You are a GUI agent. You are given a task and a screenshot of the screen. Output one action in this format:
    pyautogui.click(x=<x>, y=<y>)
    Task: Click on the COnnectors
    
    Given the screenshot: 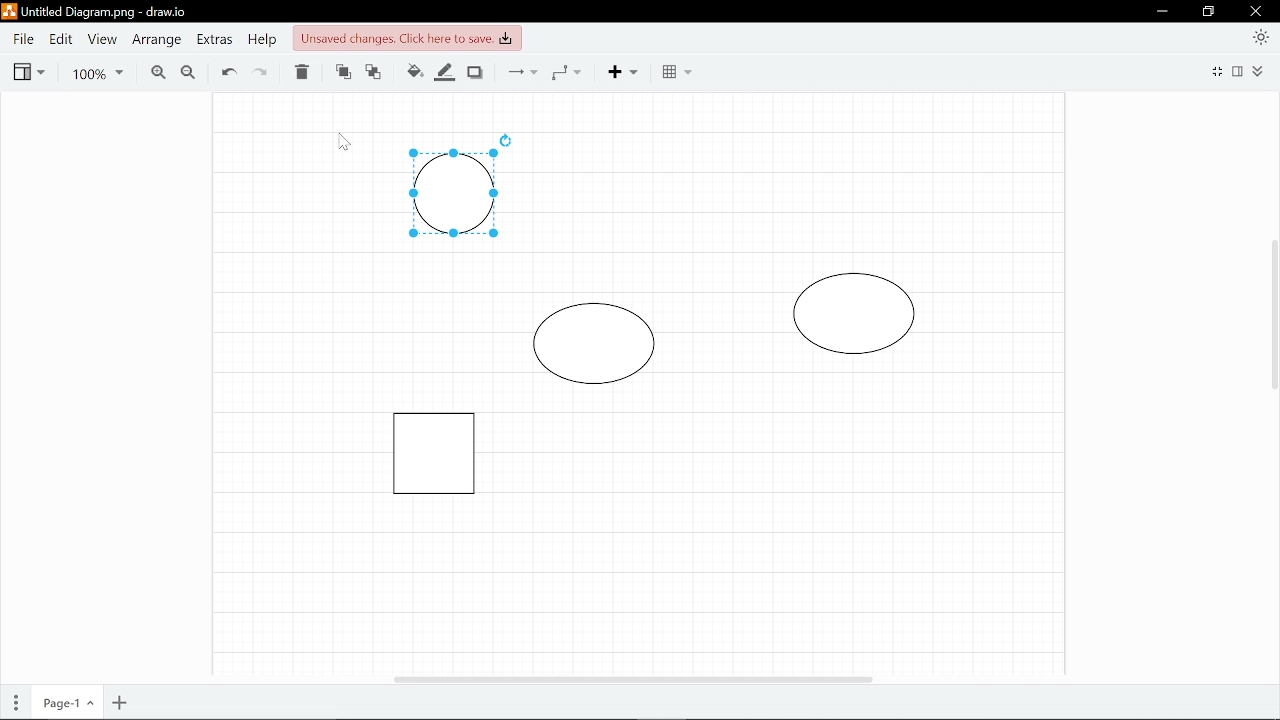 What is the action you would take?
    pyautogui.click(x=520, y=71)
    